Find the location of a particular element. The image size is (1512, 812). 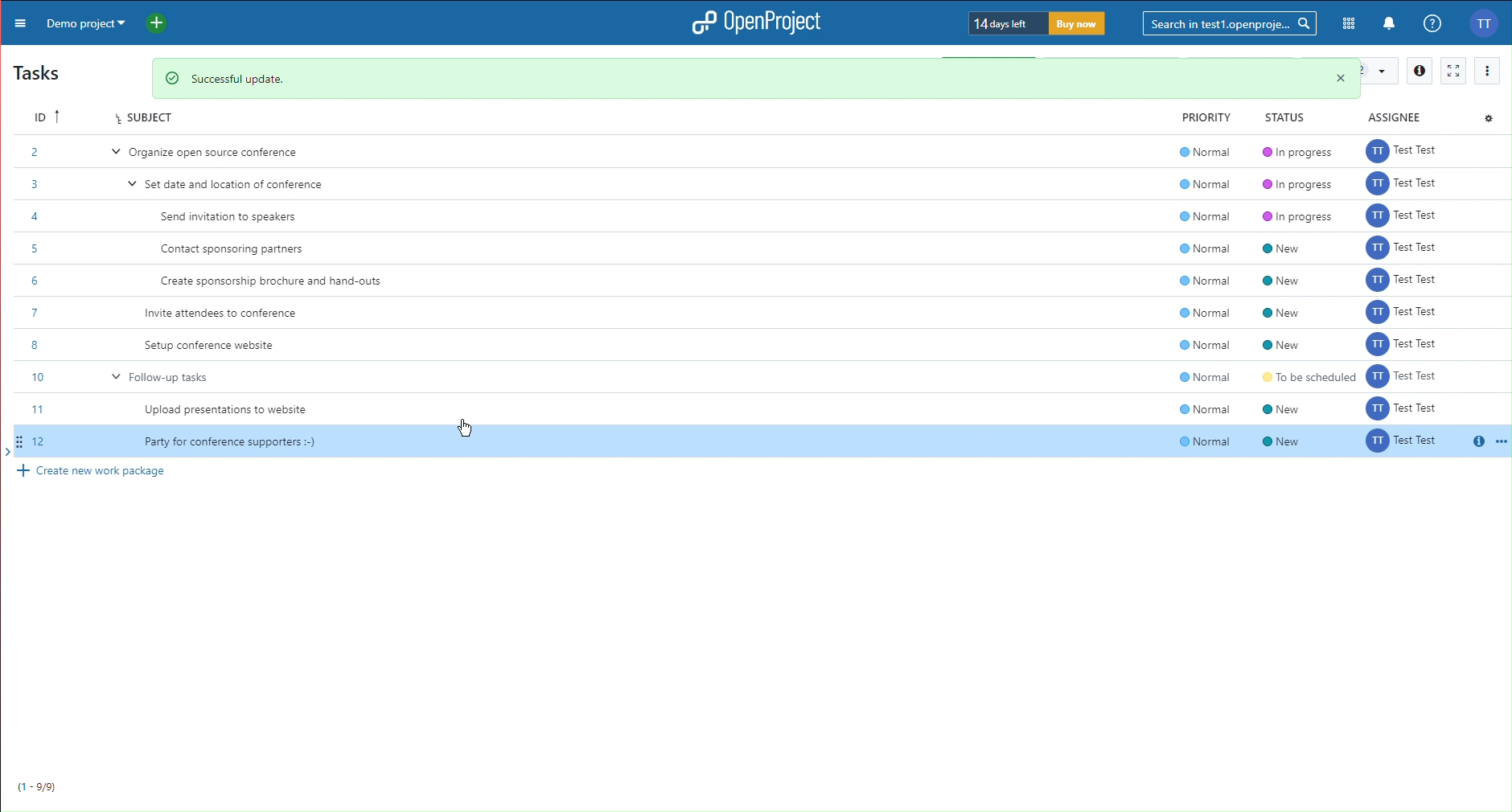

Assignee is located at coordinates (1401, 116).